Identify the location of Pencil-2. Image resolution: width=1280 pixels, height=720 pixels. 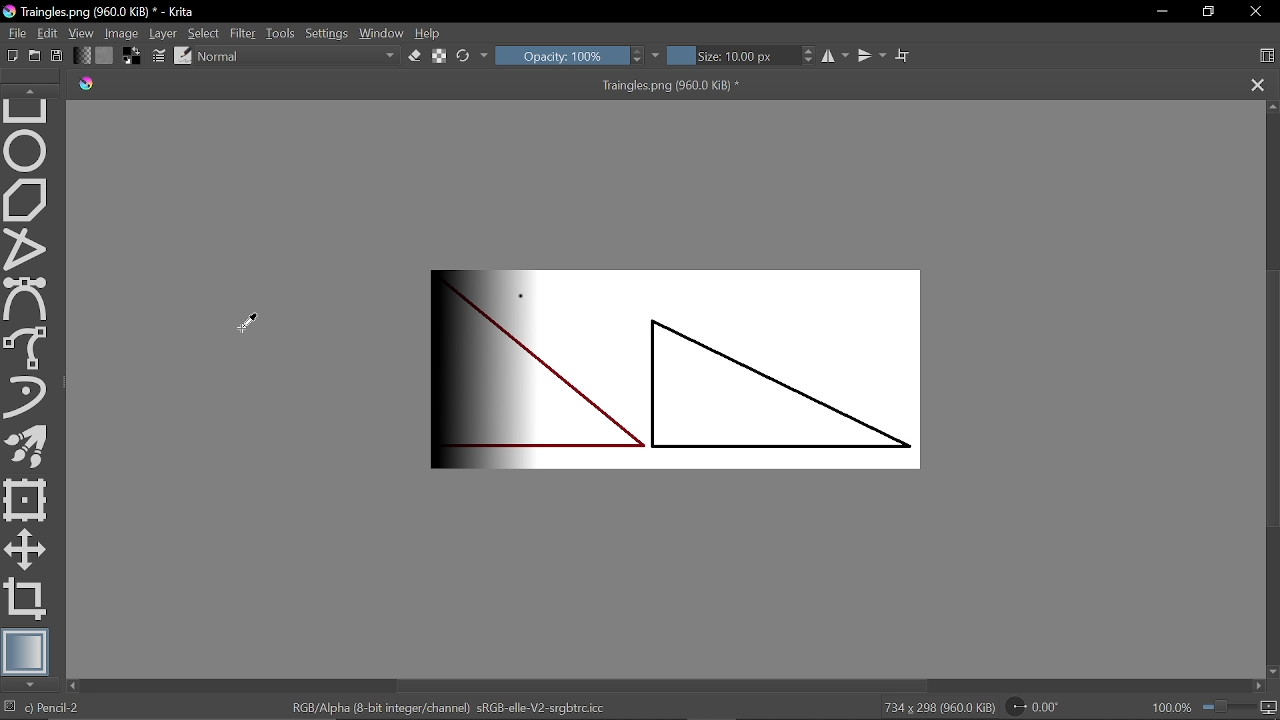
(74, 708).